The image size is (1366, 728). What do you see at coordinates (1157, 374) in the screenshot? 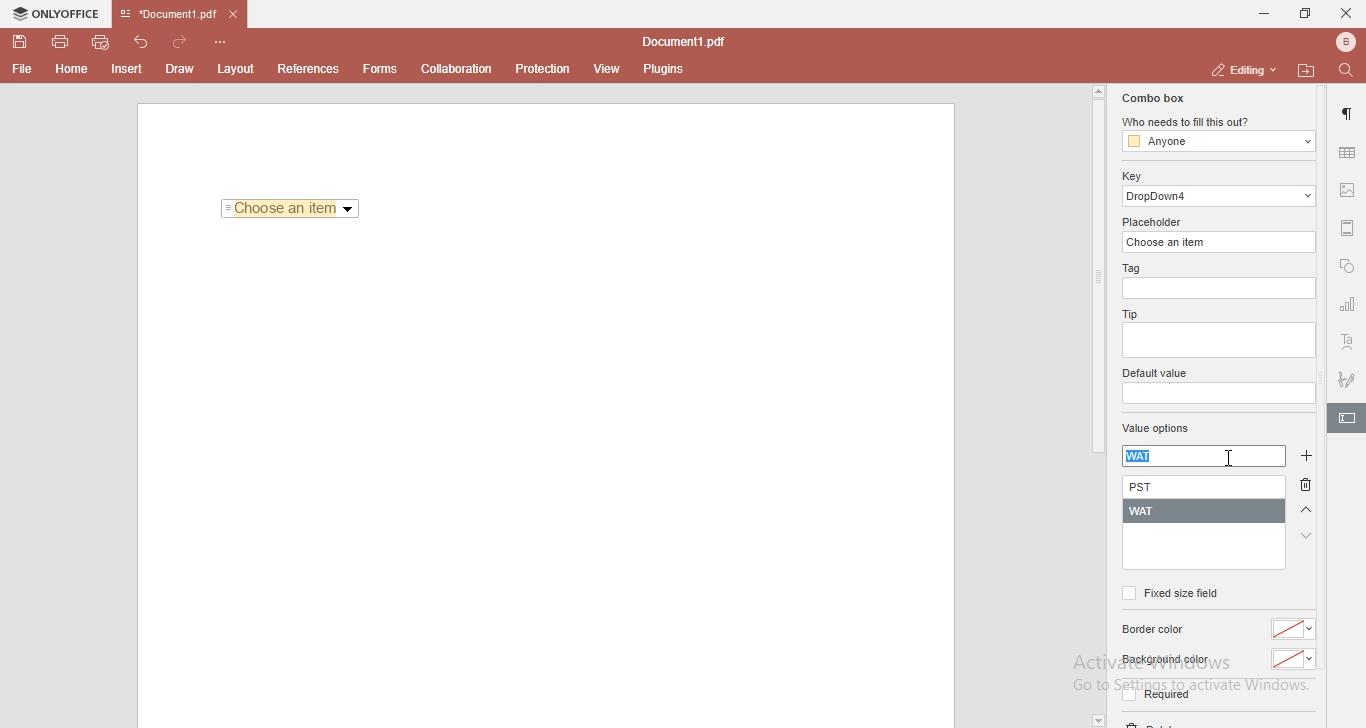
I see `default value` at bounding box center [1157, 374].